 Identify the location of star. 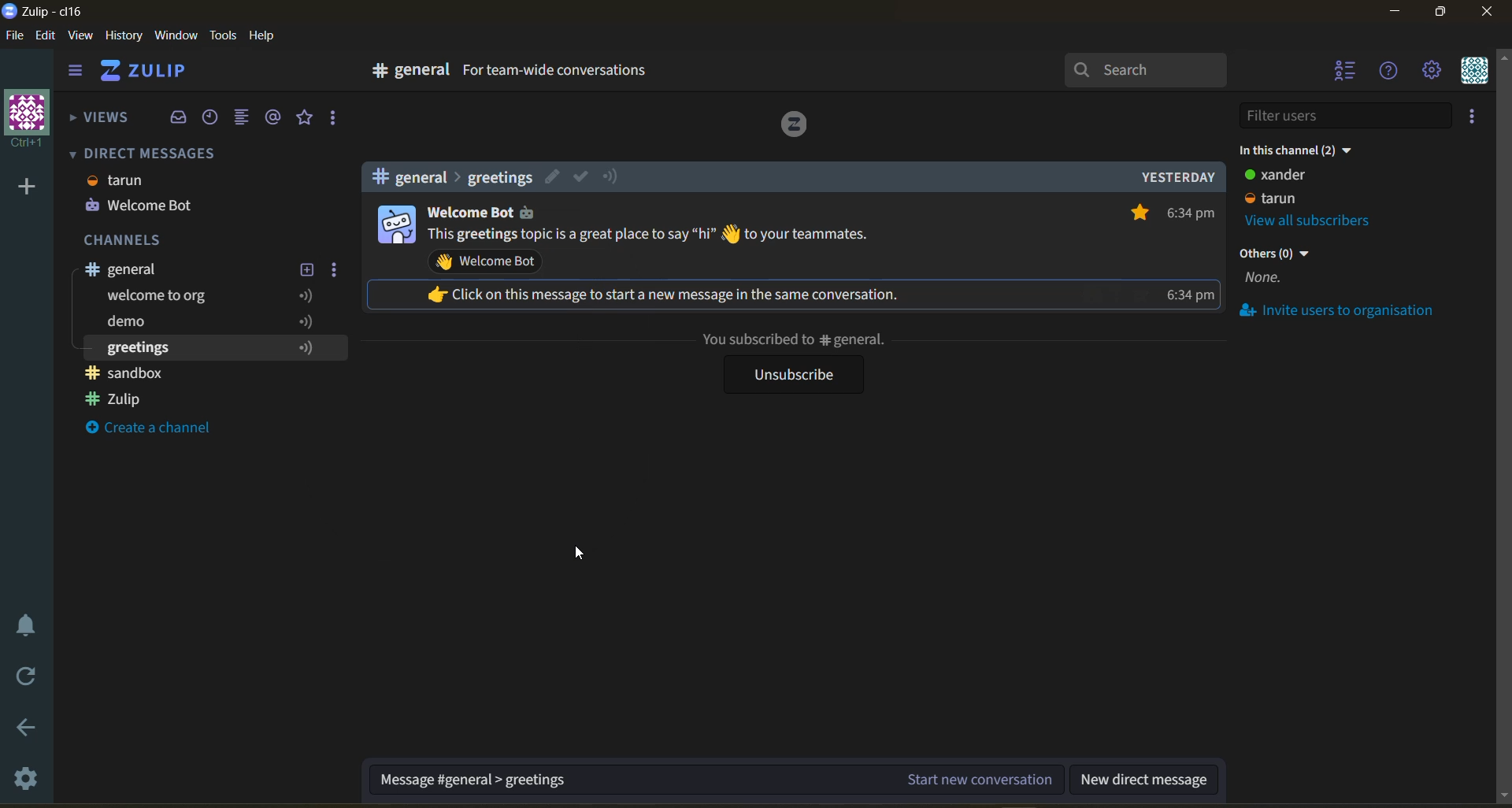
(1136, 211).